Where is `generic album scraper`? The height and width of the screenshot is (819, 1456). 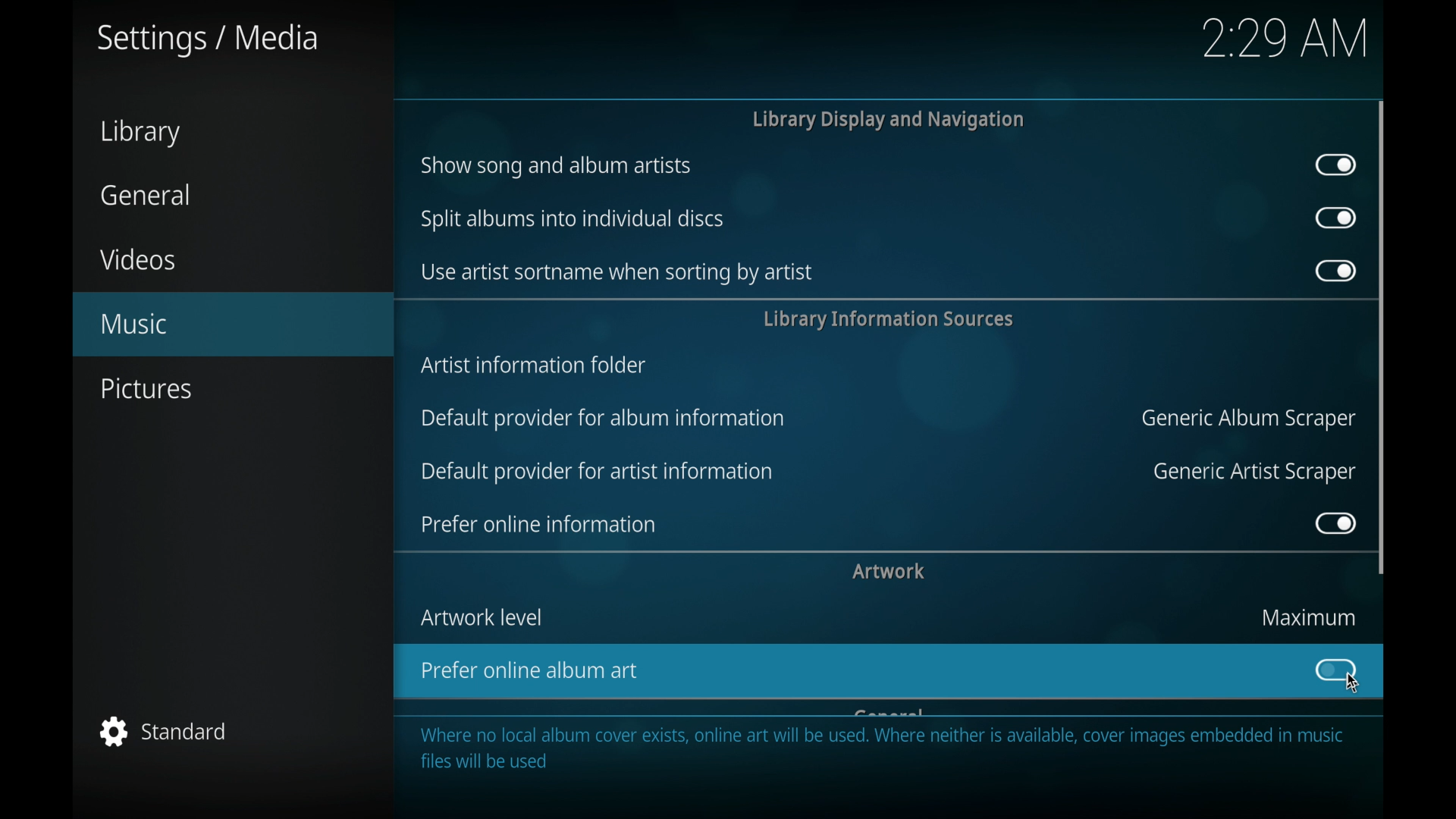
generic album scraper is located at coordinates (1246, 419).